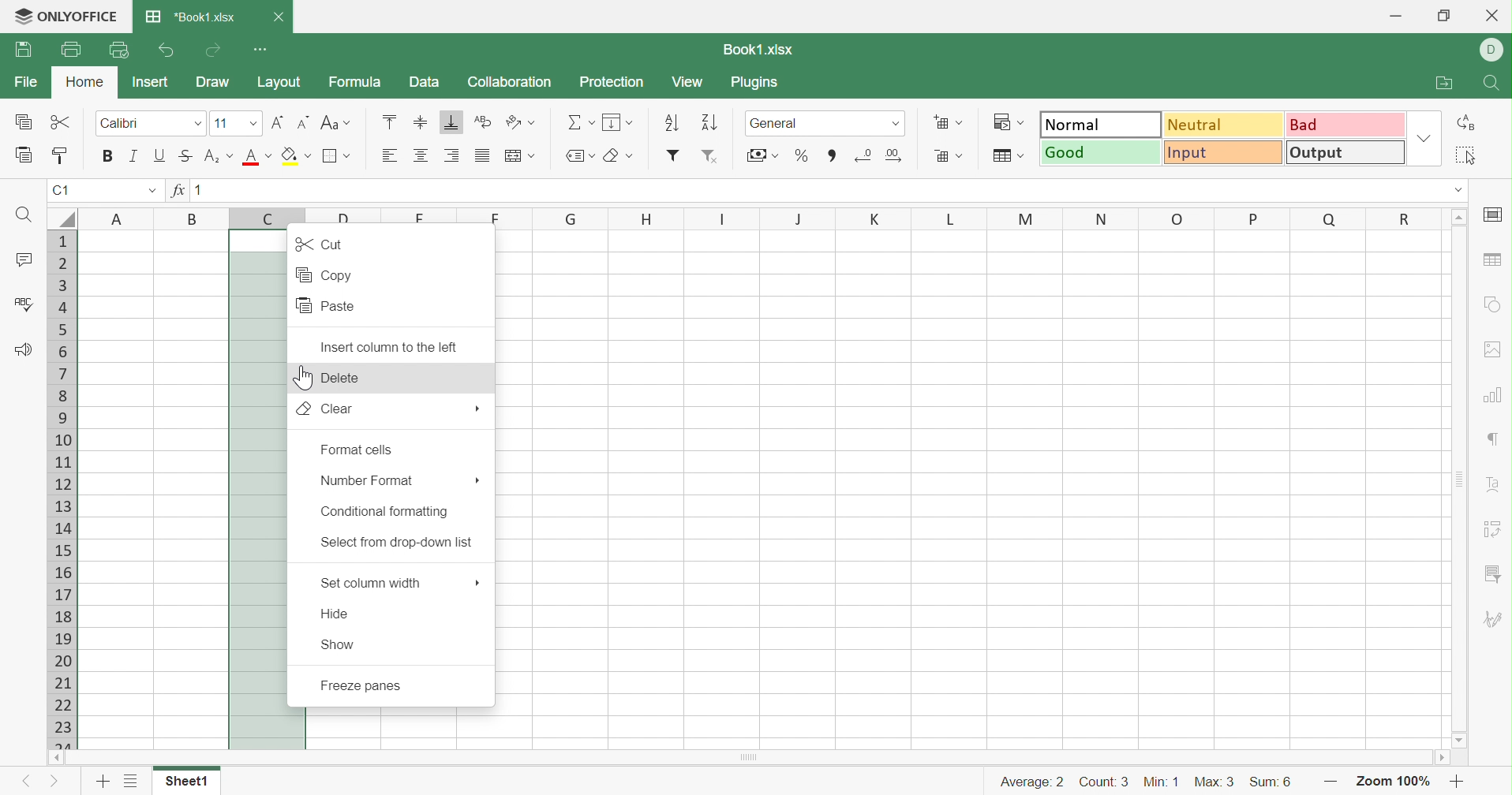 This screenshot has height=795, width=1512. Describe the element at coordinates (119, 121) in the screenshot. I see `Calibri` at that location.